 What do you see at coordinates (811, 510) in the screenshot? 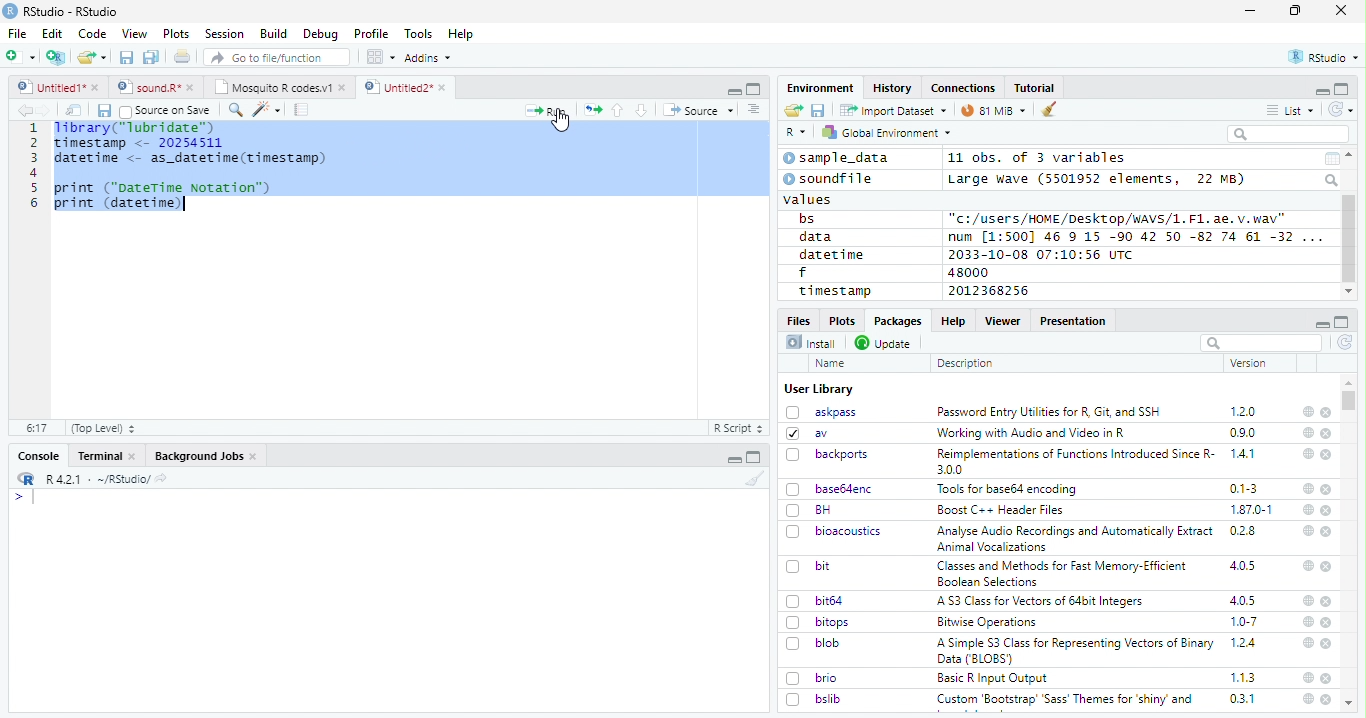
I see `BH` at bounding box center [811, 510].